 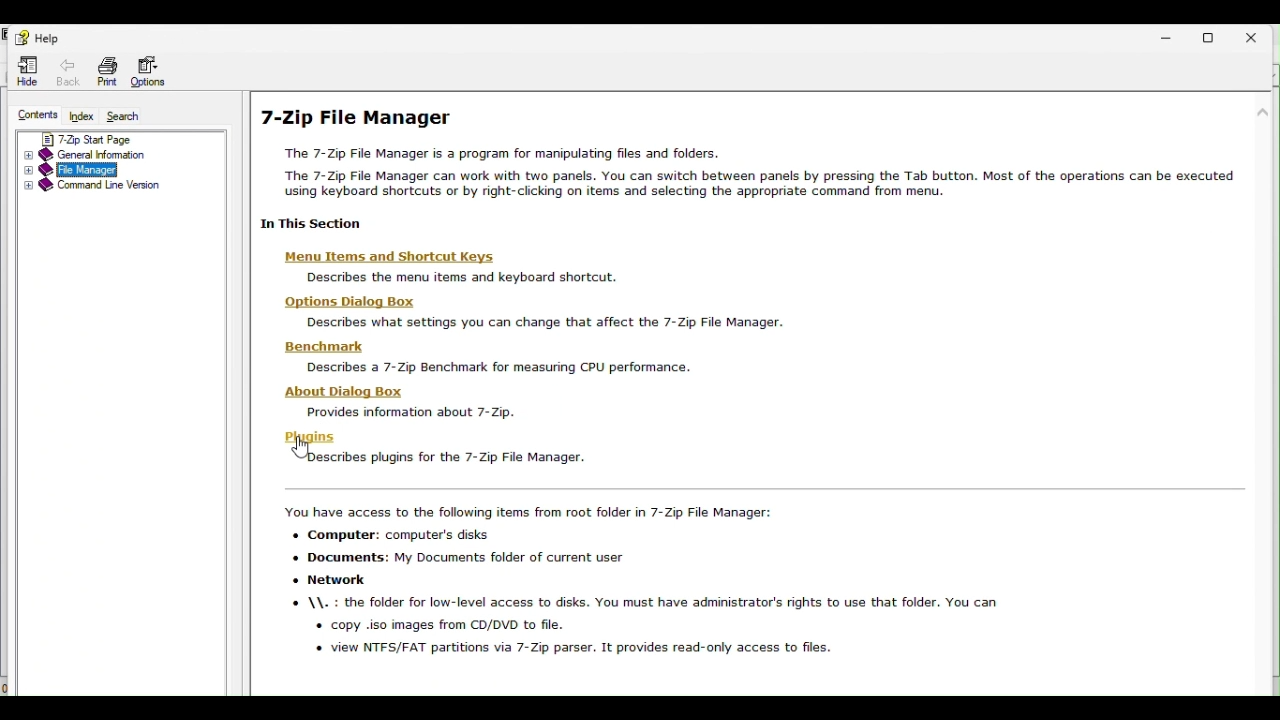 I want to click on “Describes plugins for the 7-Zip File Manager., so click(x=443, y=458).